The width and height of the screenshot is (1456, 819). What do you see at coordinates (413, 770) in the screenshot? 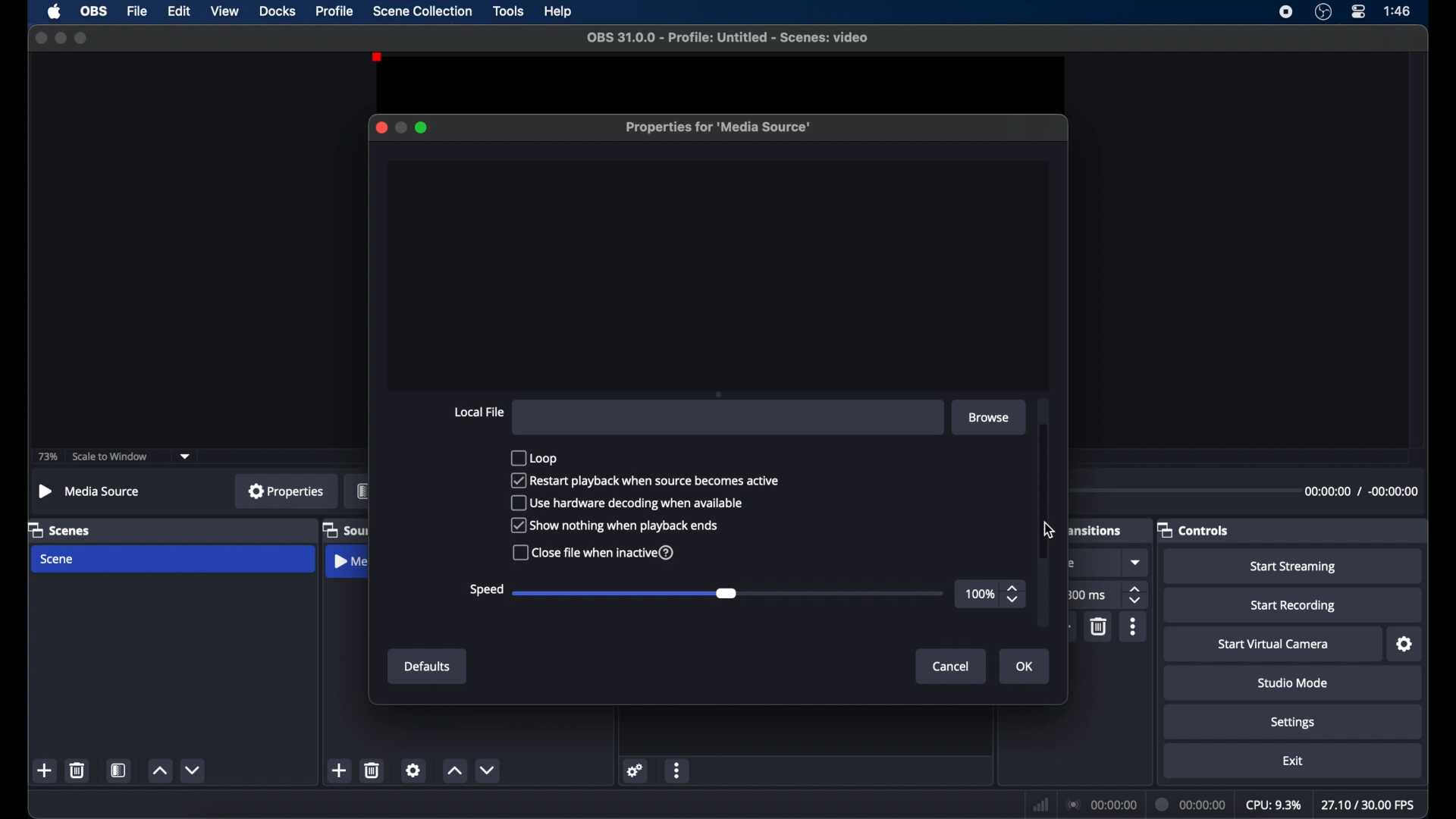
I see `settings` at bounding box center [413, 770].